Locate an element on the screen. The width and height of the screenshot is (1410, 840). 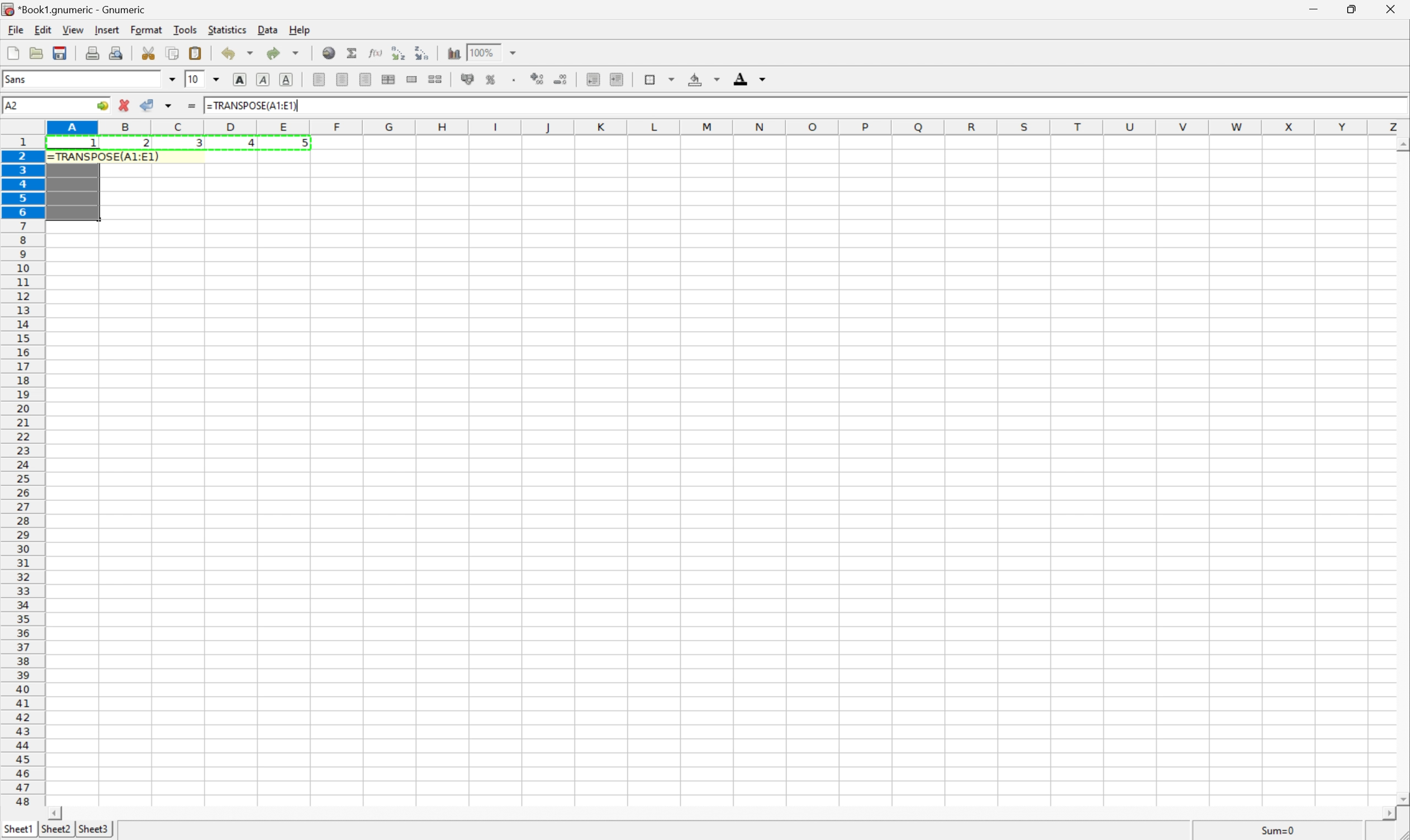
100% is located at coordinates (484, 52).